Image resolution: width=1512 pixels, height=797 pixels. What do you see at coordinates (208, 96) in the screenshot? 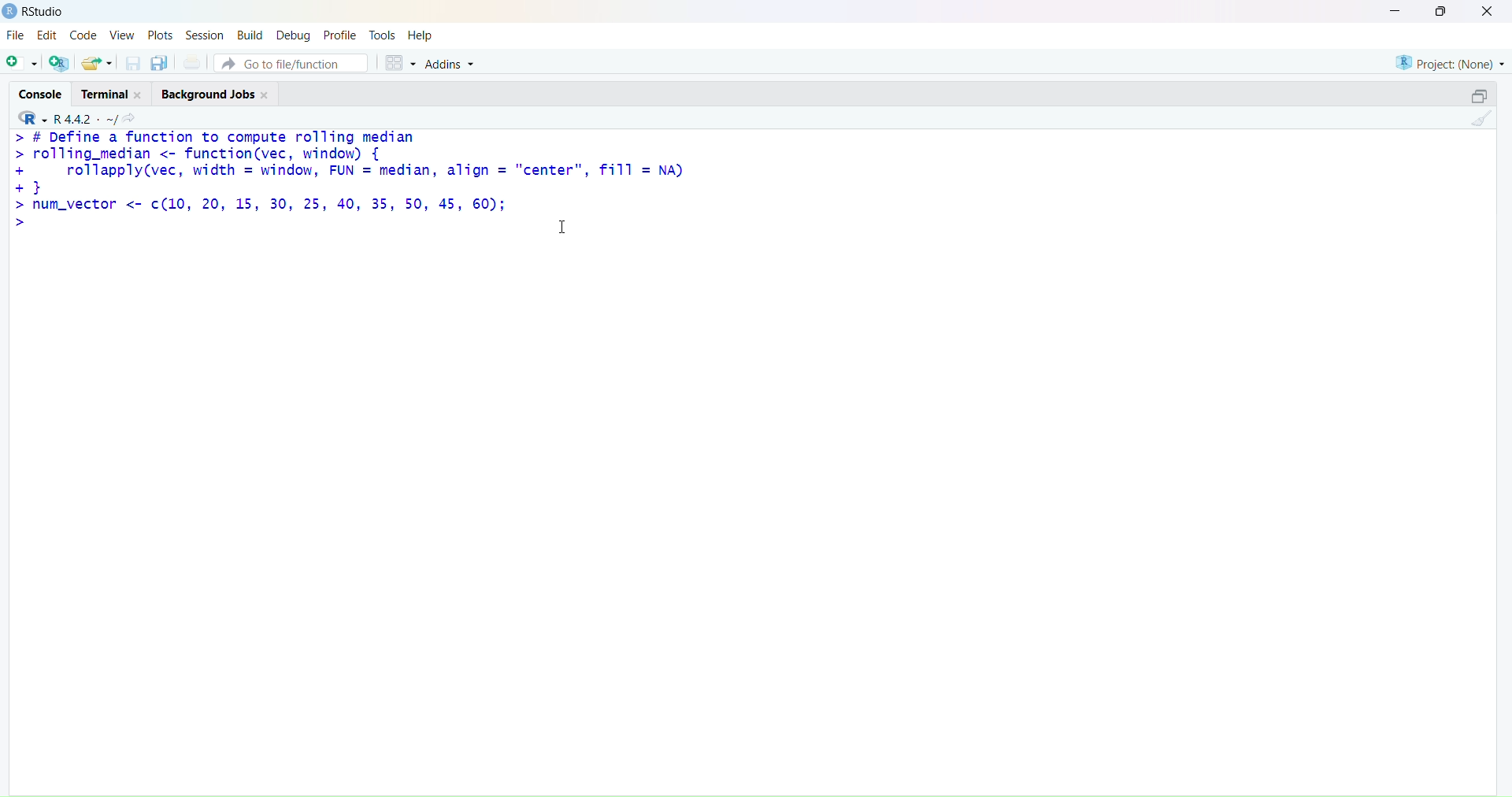
I see `background jobs` at bounding box center [208, 96].